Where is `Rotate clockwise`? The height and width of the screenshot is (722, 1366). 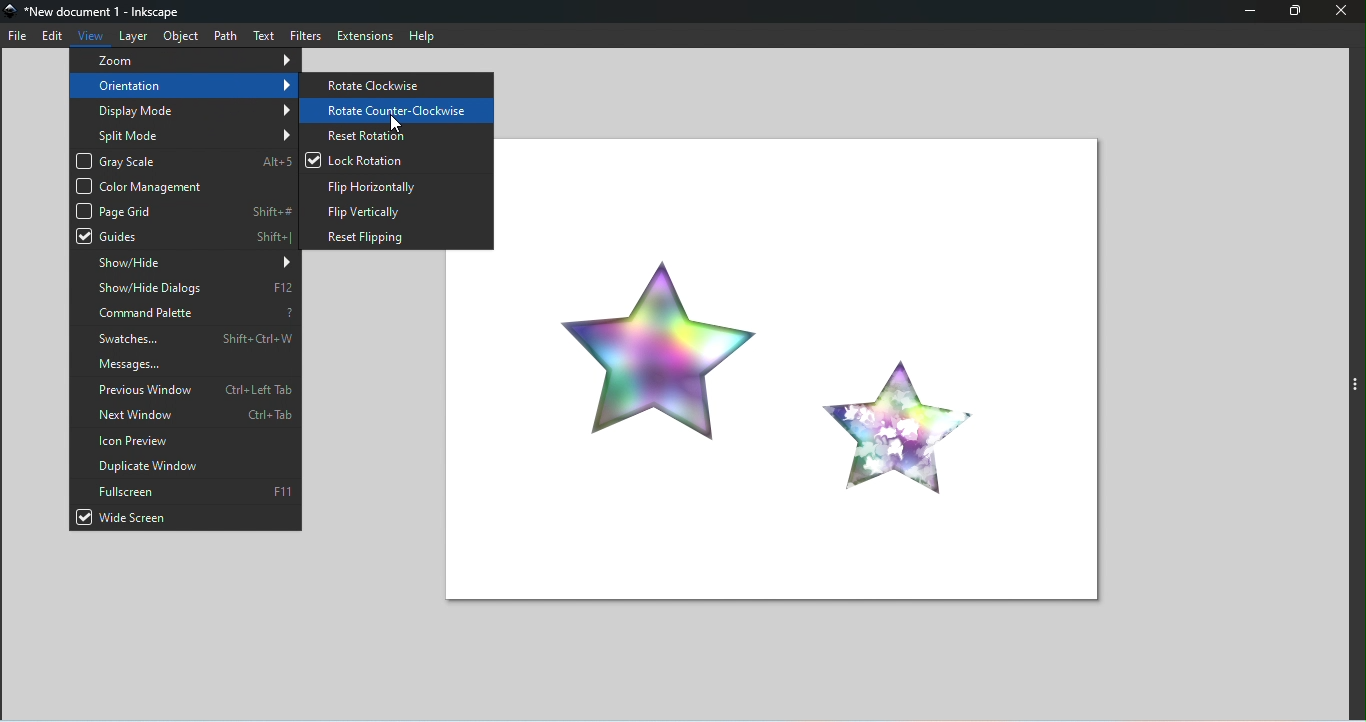 Rotate clockwise is located at coordinates (394, 85).